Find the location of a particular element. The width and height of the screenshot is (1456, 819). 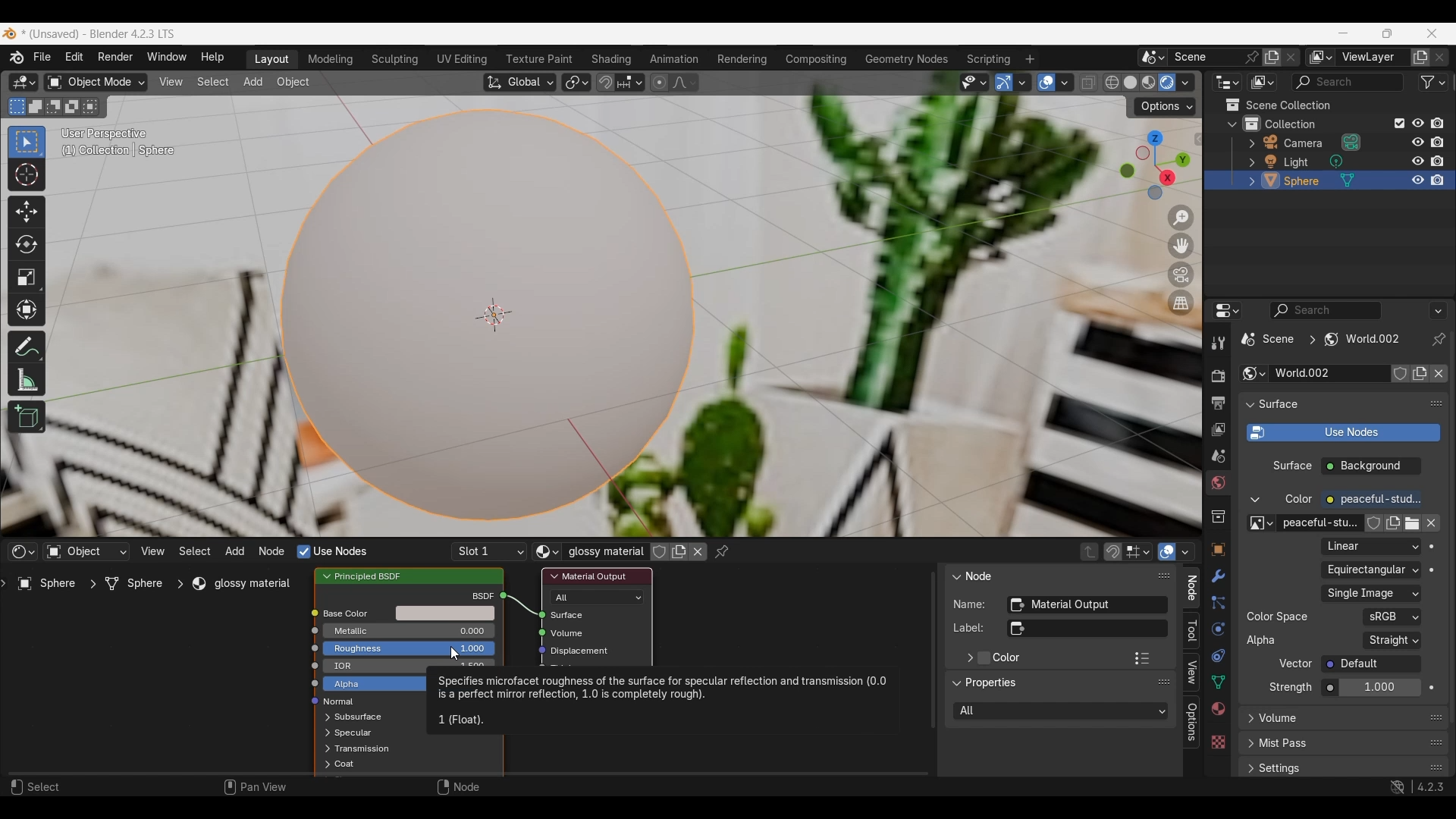

Fake user is located at coordinates (660, 552).